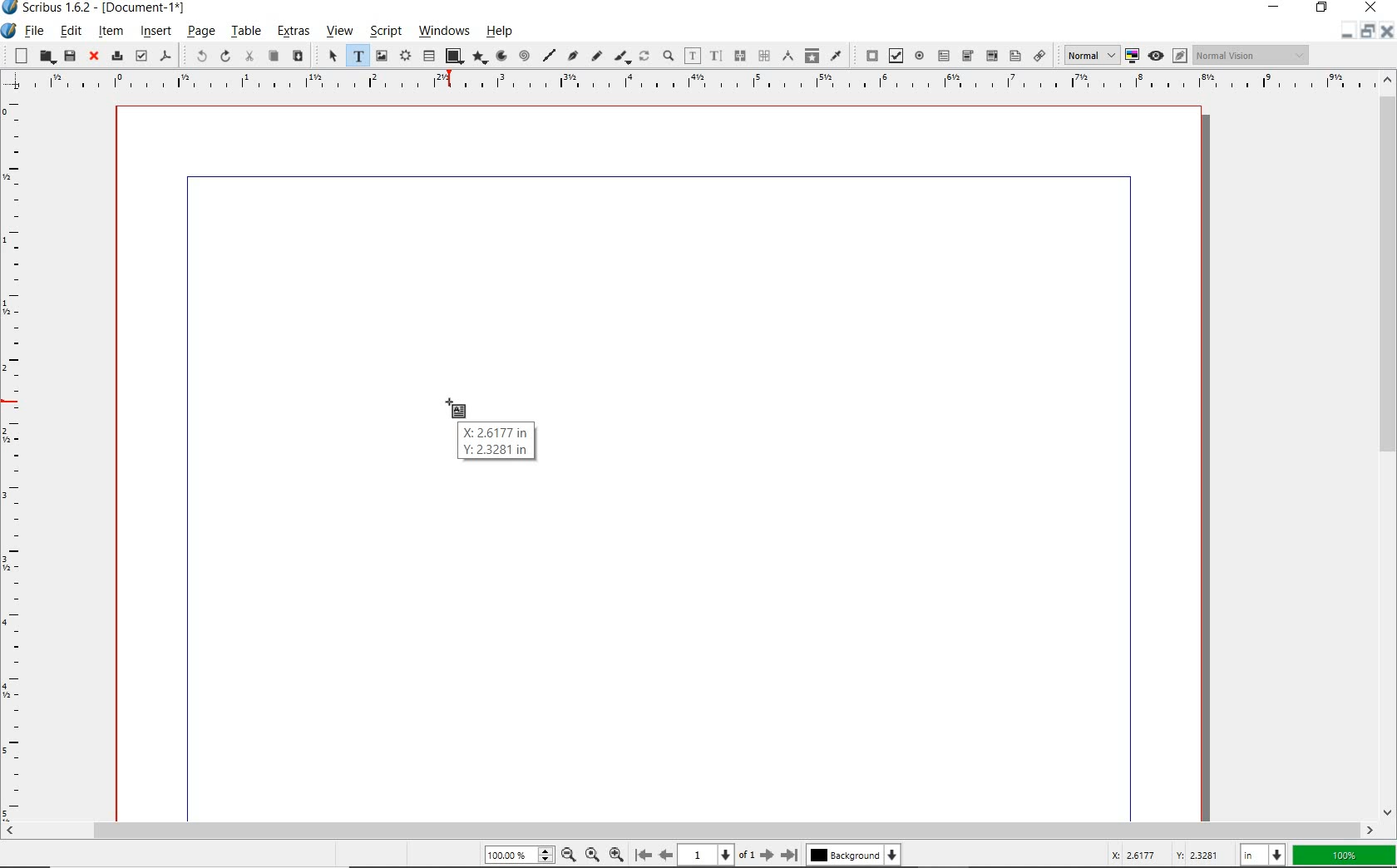 The image size is (1397, 868). I want to click on Next Page, so click(768, 855).